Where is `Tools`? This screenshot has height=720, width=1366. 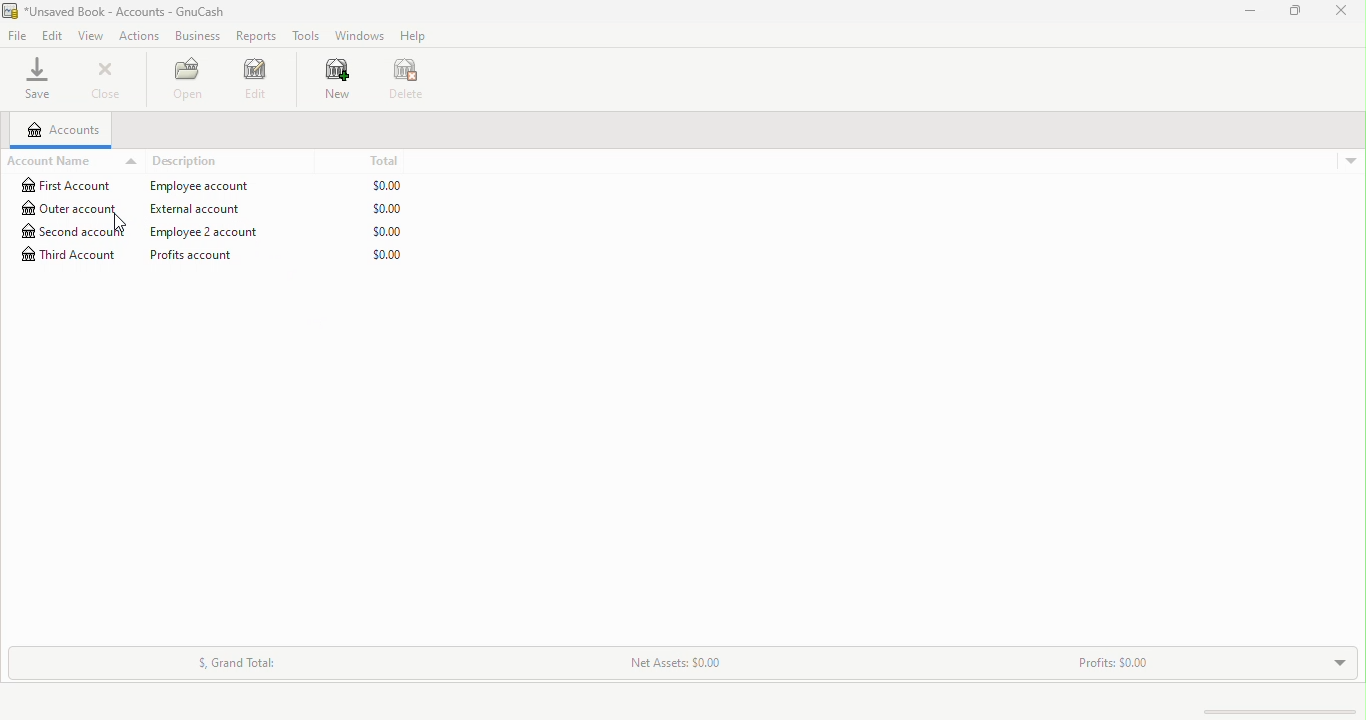
Tools is located at coordinates (305, 37).